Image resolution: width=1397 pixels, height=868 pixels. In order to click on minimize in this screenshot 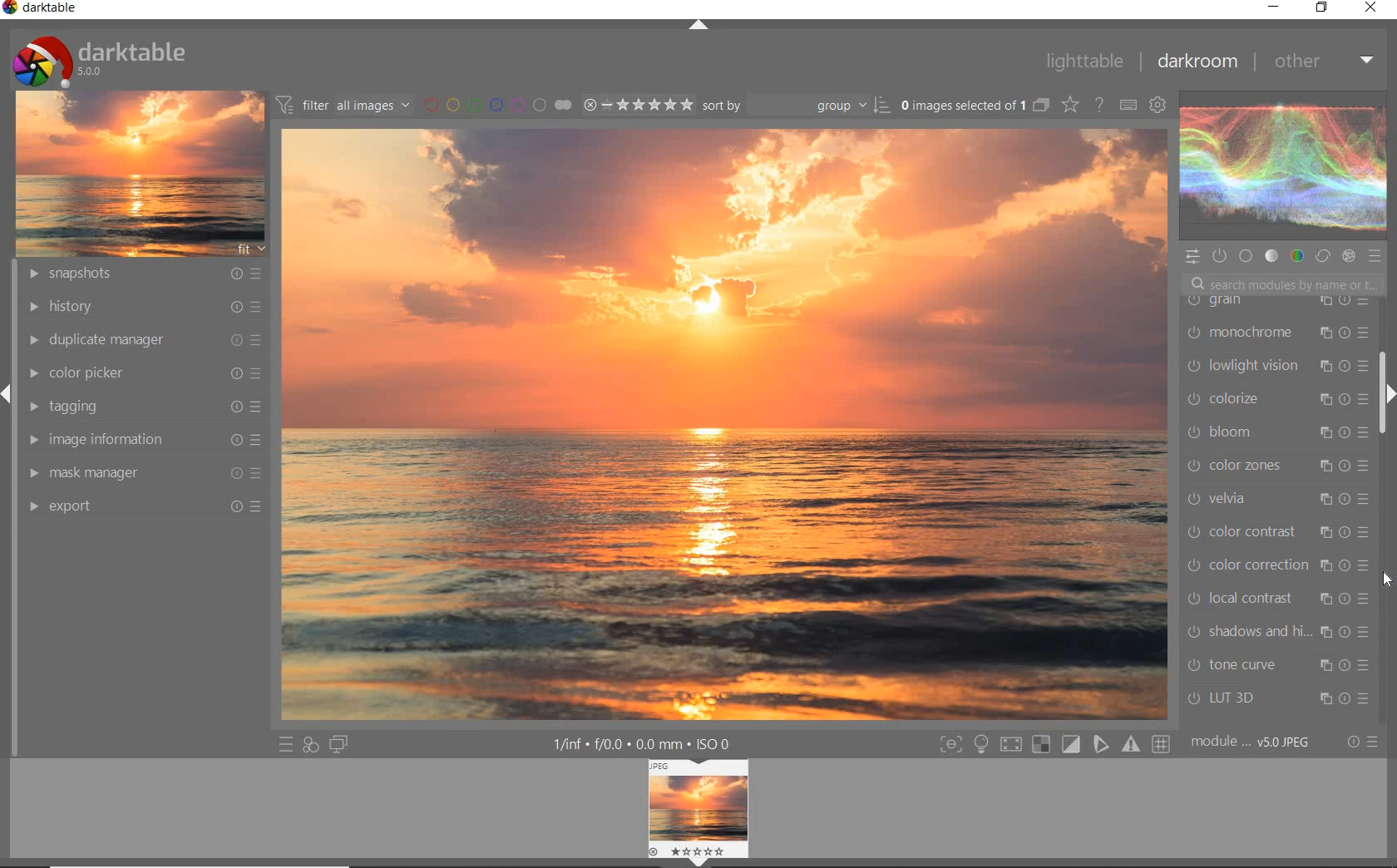, I will do `click(1276, 6)`.